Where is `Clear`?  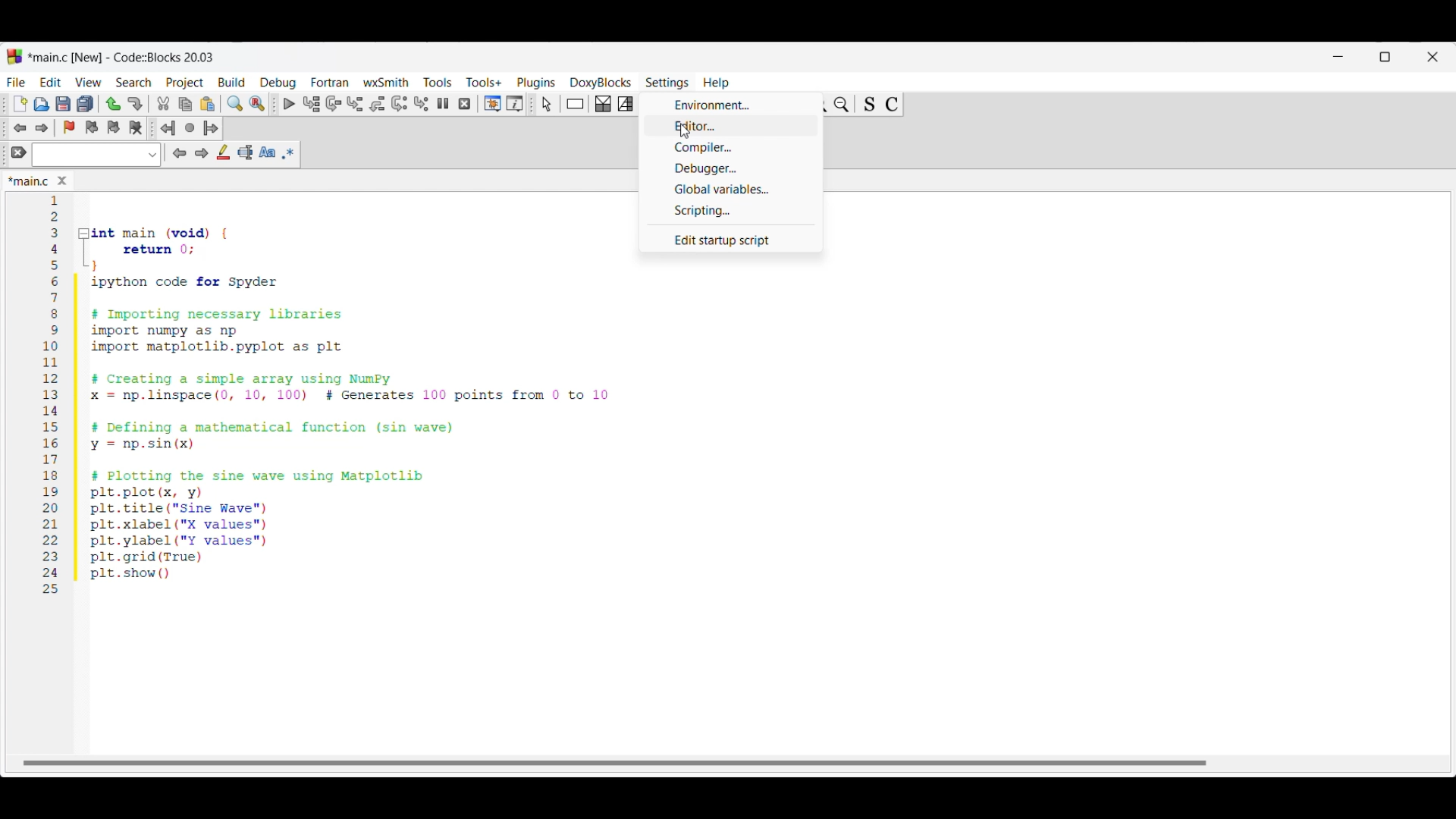 Clear is located at coordinates (19, 152).